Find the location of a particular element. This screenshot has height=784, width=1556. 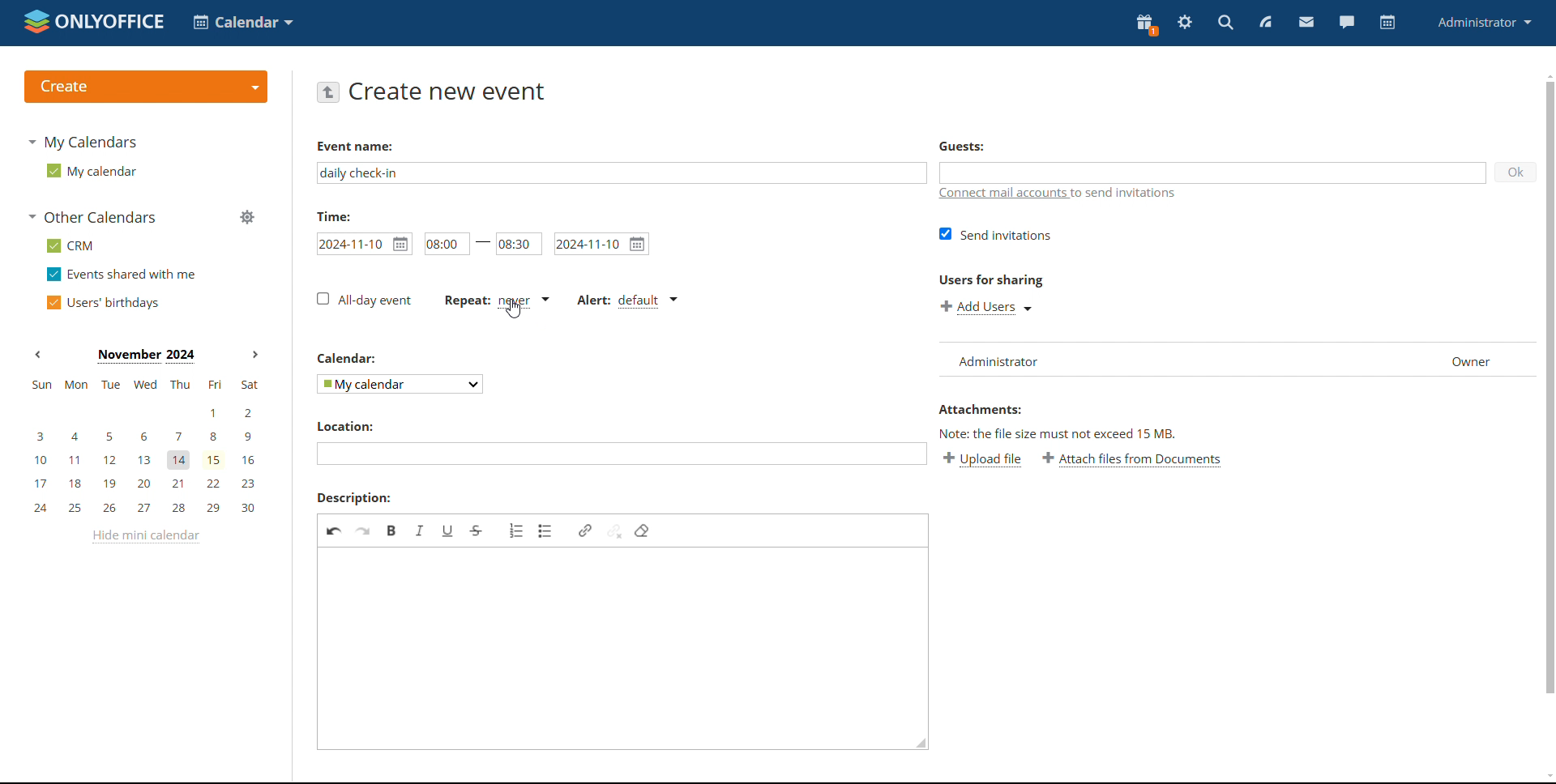

undo is located at coordinates (334, 530).